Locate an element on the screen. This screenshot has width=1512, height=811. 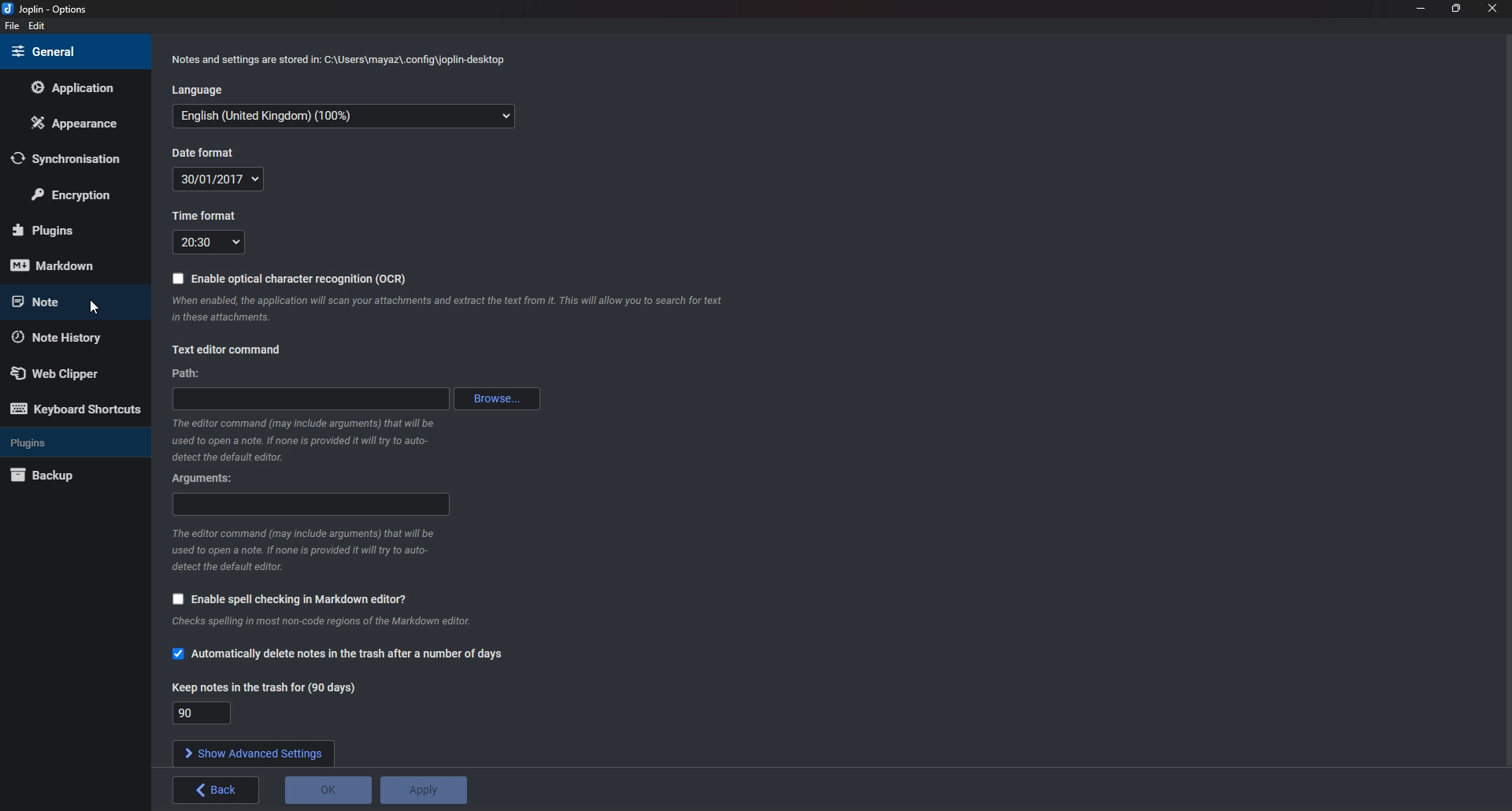
arguments is located at coordinates (310, 505).